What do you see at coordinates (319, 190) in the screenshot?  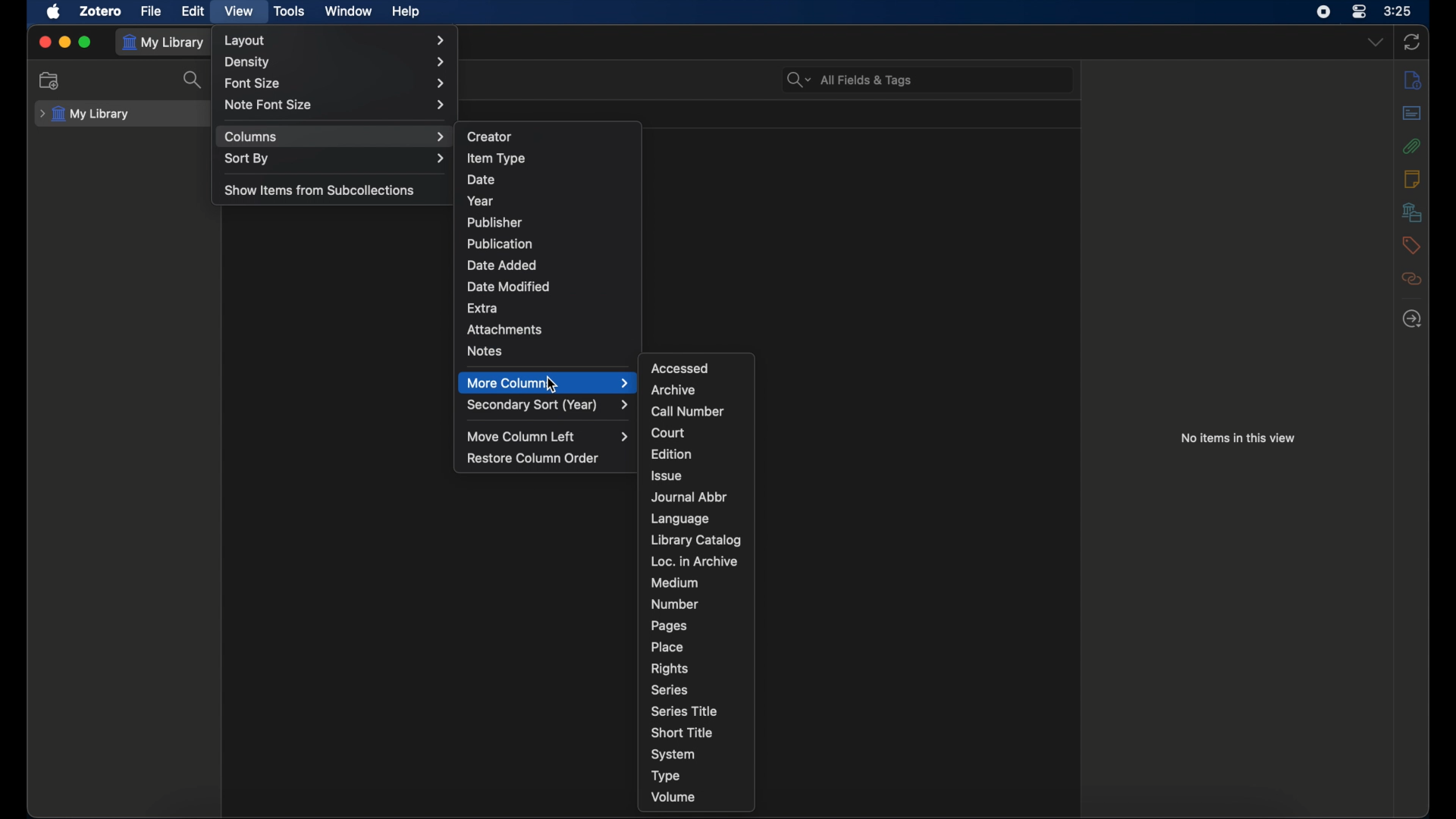 I see `show items from subcollections` at bounding box center [319, 190].